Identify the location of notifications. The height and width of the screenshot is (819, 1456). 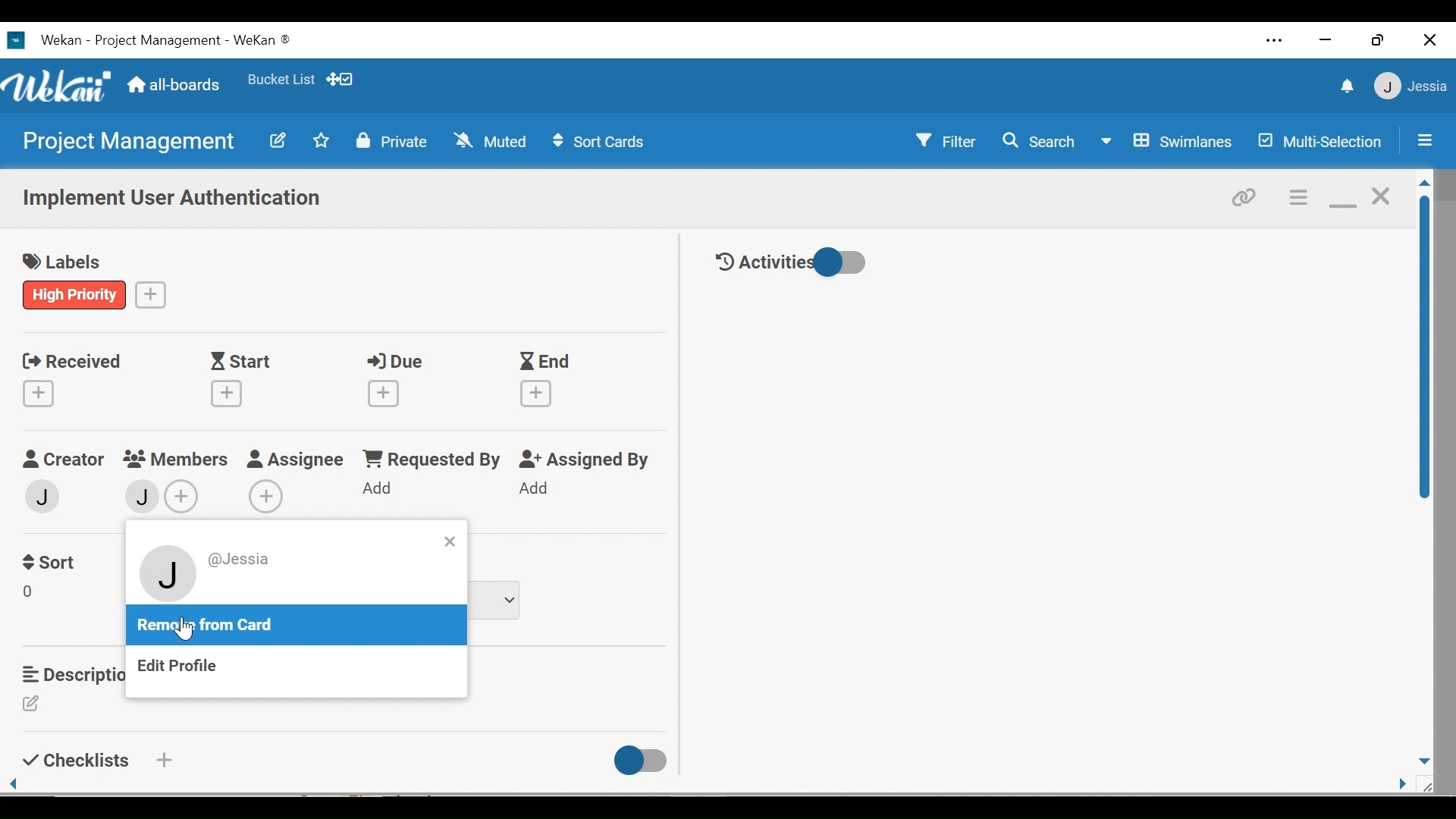
(1344, 88).